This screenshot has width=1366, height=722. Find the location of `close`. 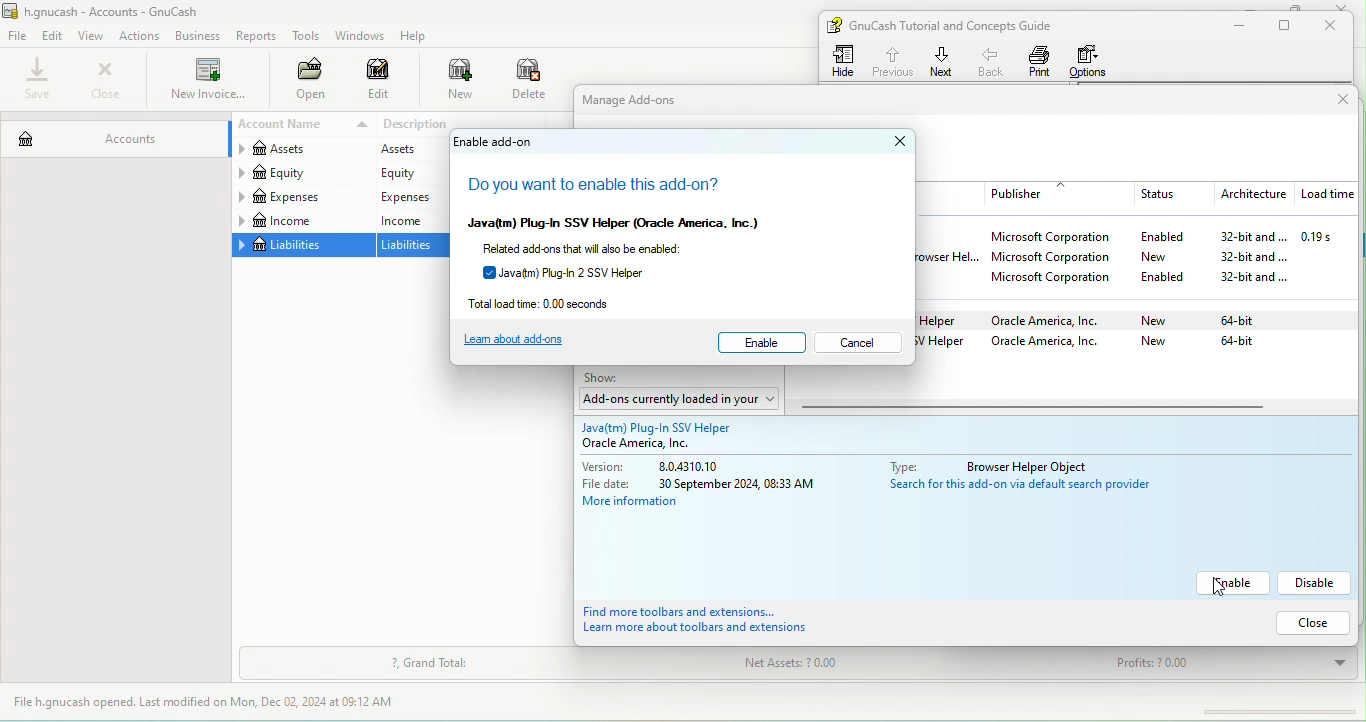

close is located at coordinates (1347, 6).